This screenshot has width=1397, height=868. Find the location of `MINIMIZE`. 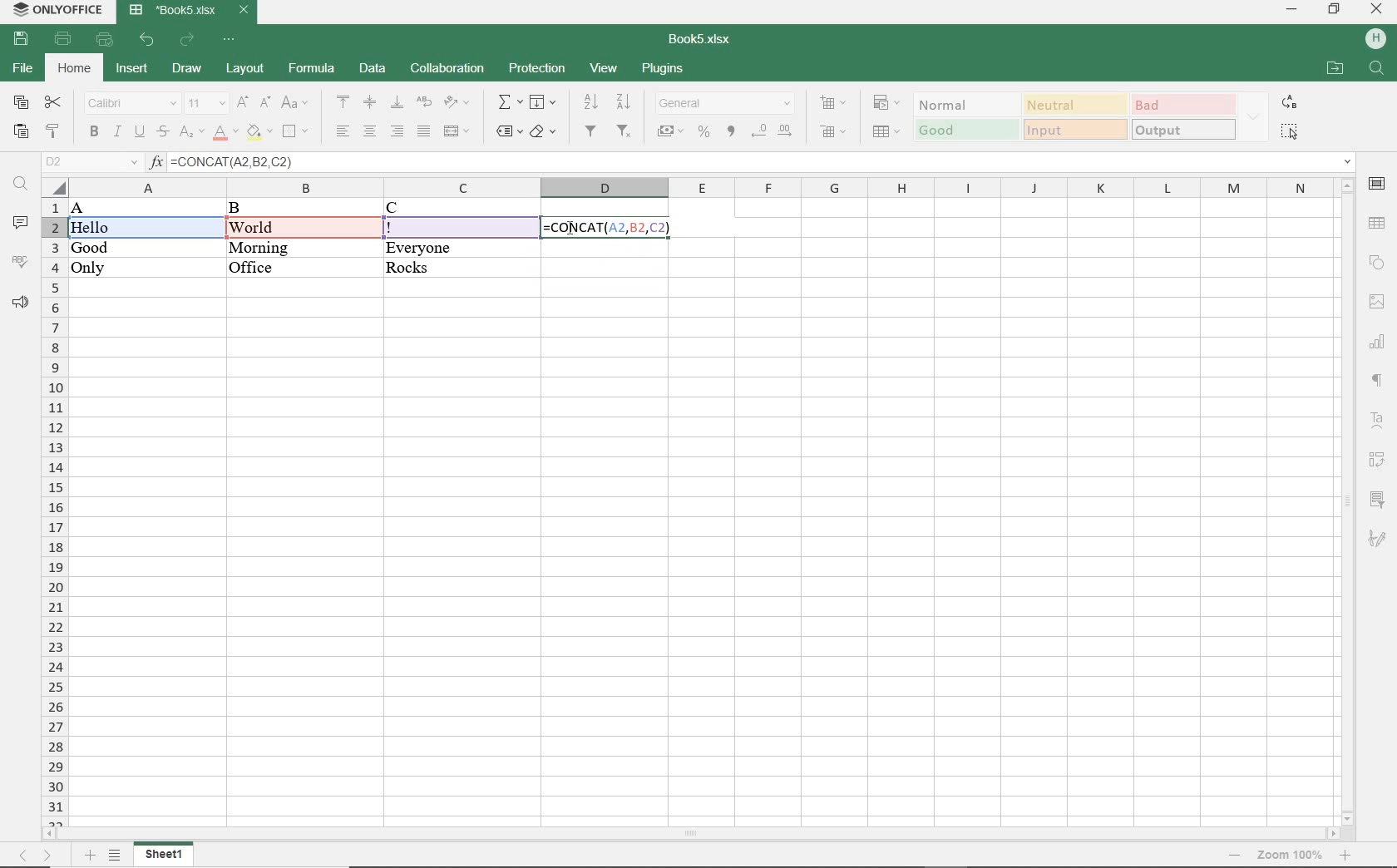

MINIMIZE is located at coordinates (1291, 10).